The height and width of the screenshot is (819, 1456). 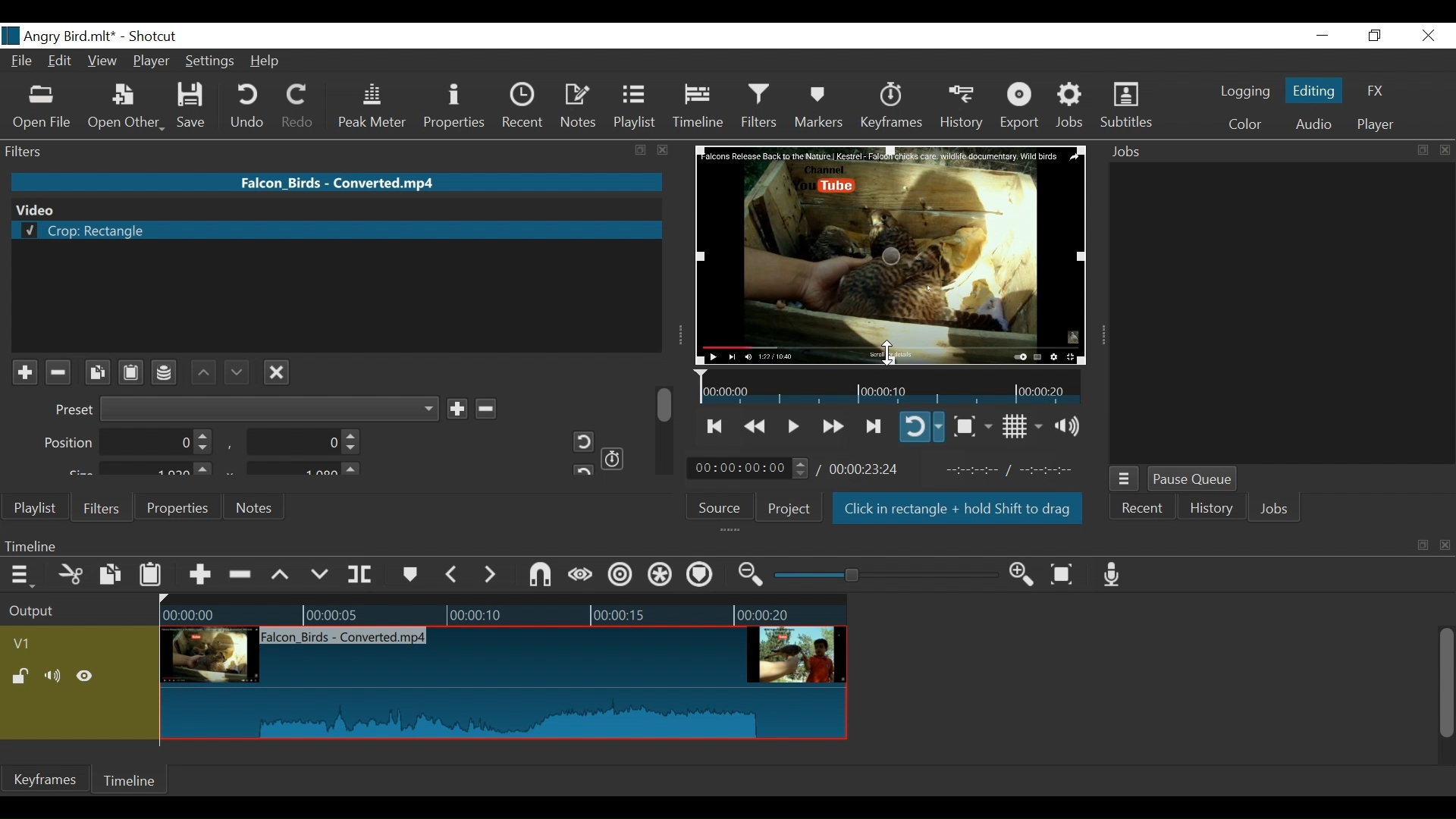 I want to click on Filters, so click(x=99, y=507).